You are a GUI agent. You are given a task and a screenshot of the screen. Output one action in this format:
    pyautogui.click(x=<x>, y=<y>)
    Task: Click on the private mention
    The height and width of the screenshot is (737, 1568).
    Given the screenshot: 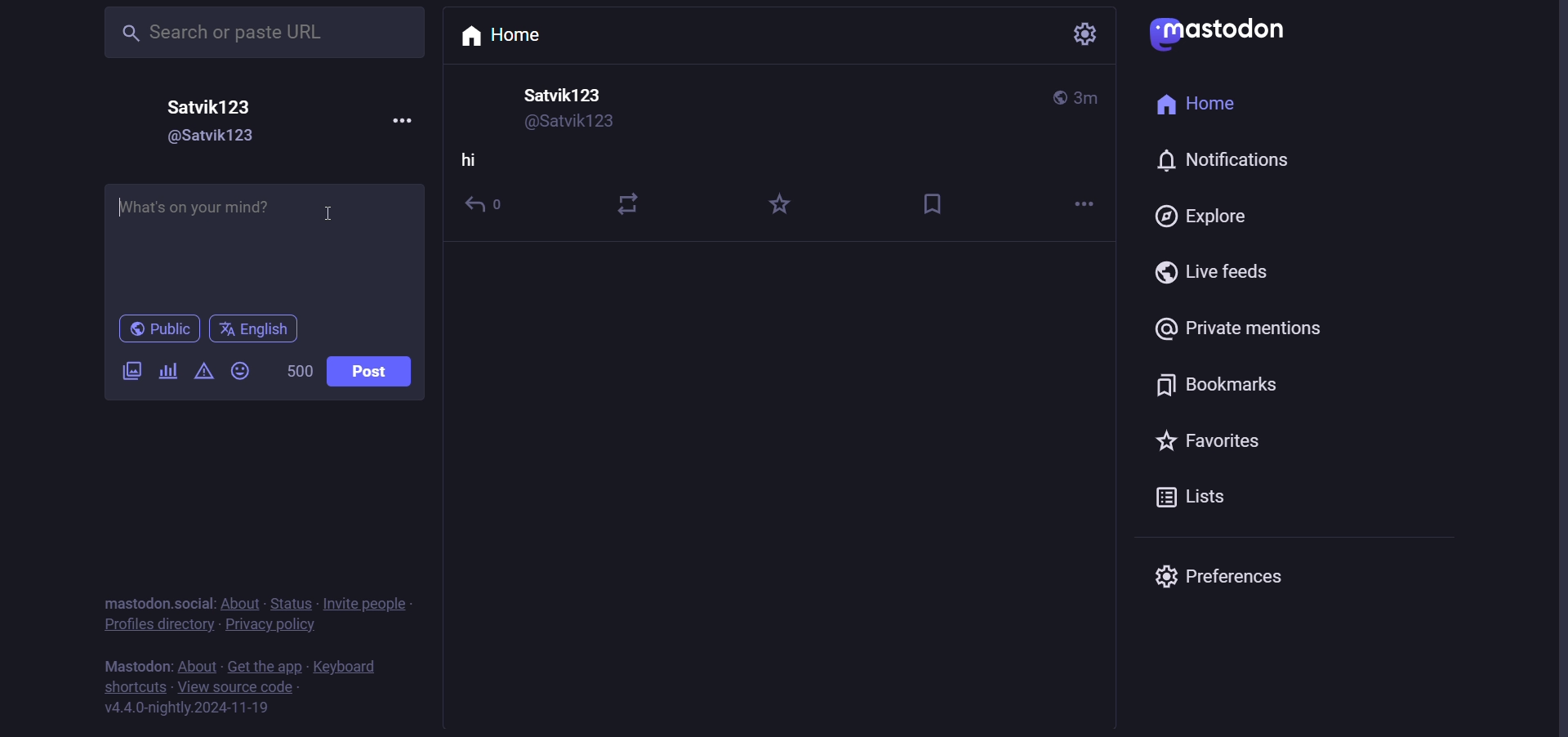 What is the action you would take?
    pyautogui.click(x=1236, y=331)
    